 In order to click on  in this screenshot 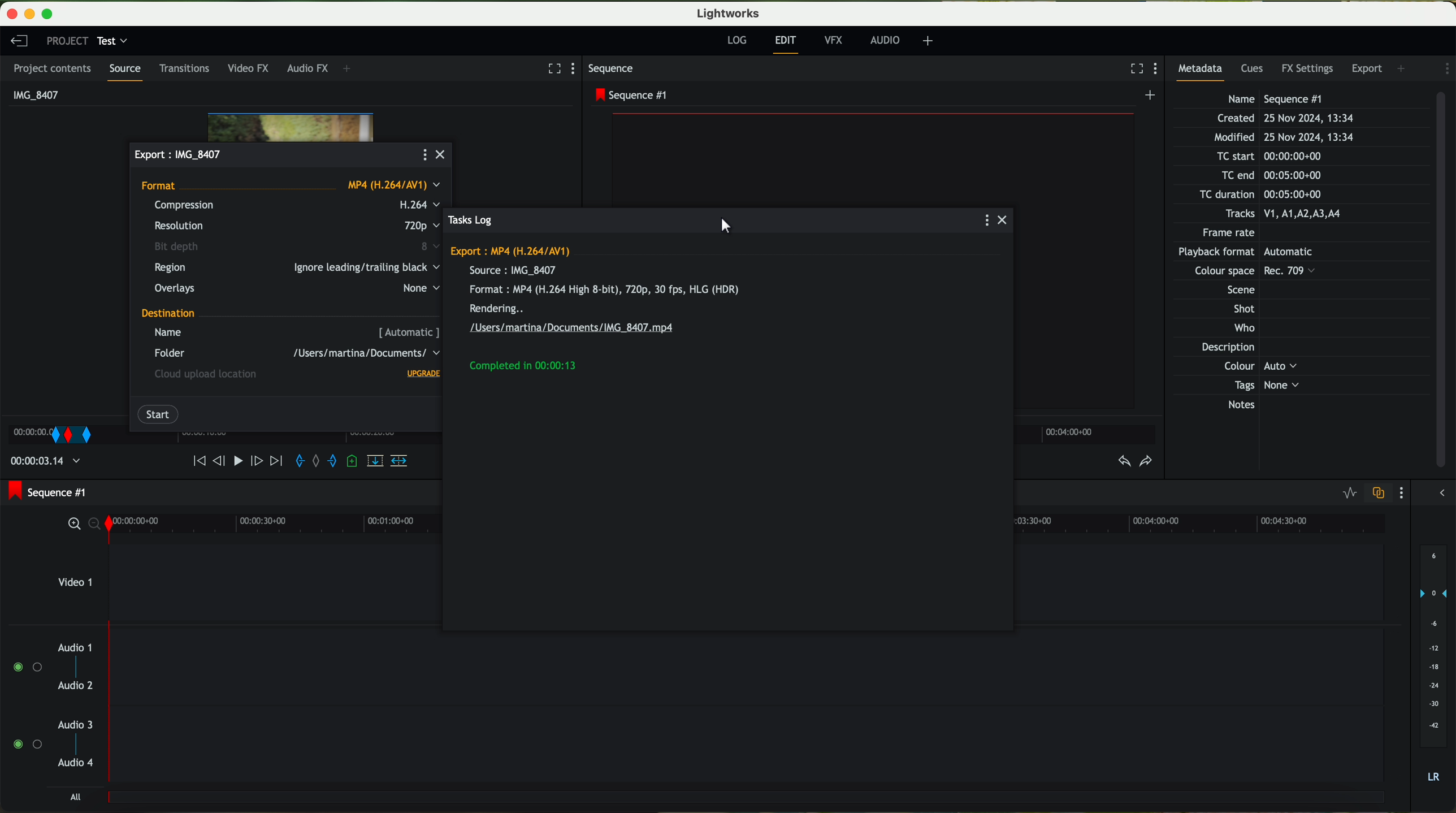, I will do `click(1256, 253)`.